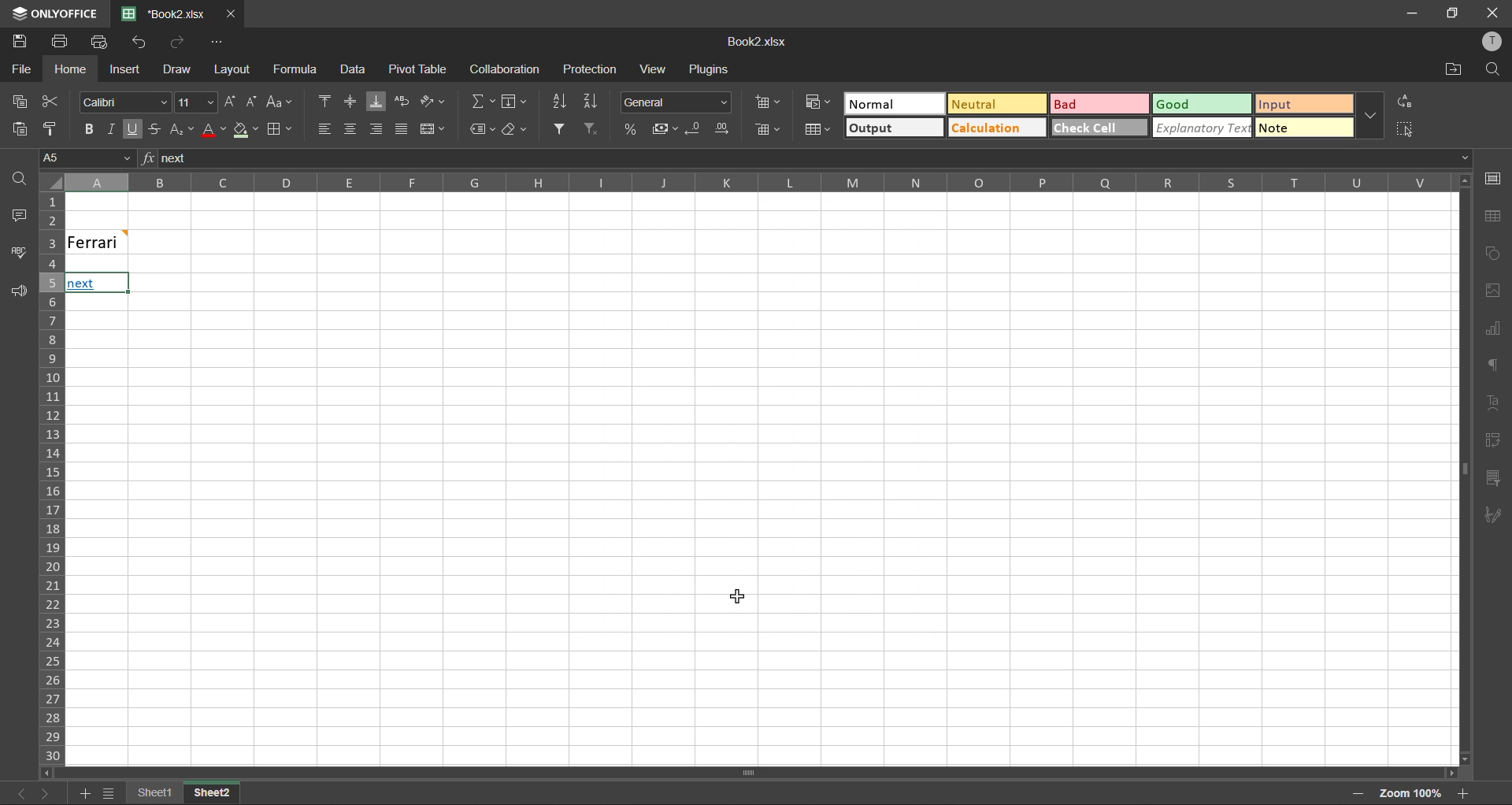 The width and height of the screenshot is (1512, 805). What do you see at coordinates (24, 182) in the screenshot?
I see `find` at bounding box center [24, 182].